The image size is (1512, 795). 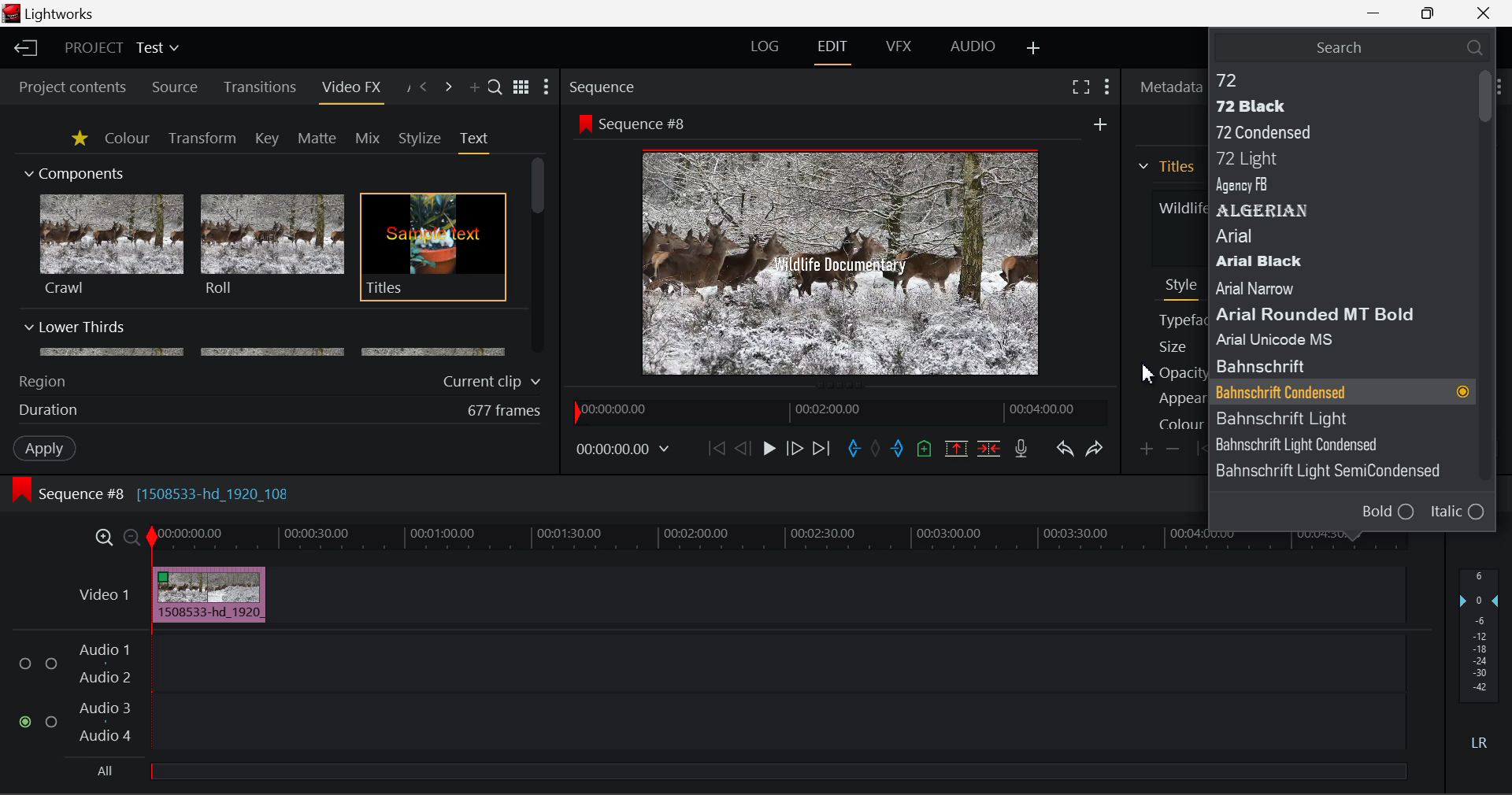 I want to click on Show Settings, so click(x=1109, y=87).